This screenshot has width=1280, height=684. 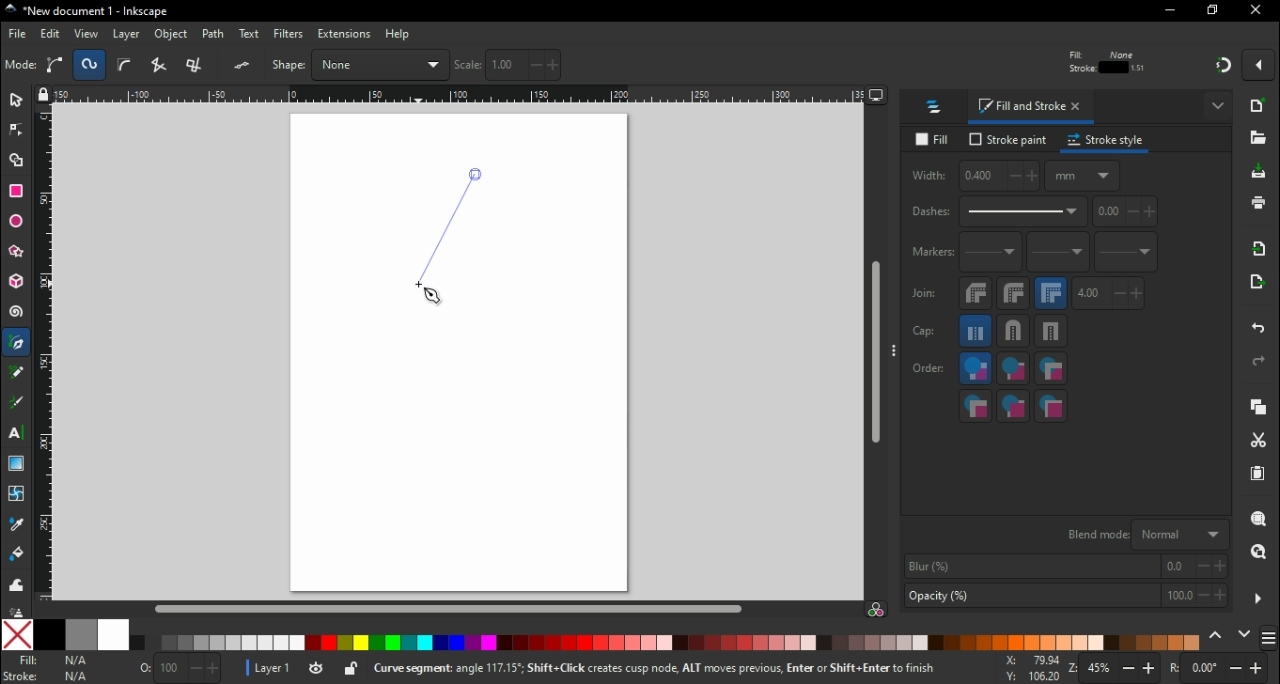 I want to click on color palettes, so click(x=1270, y=636).